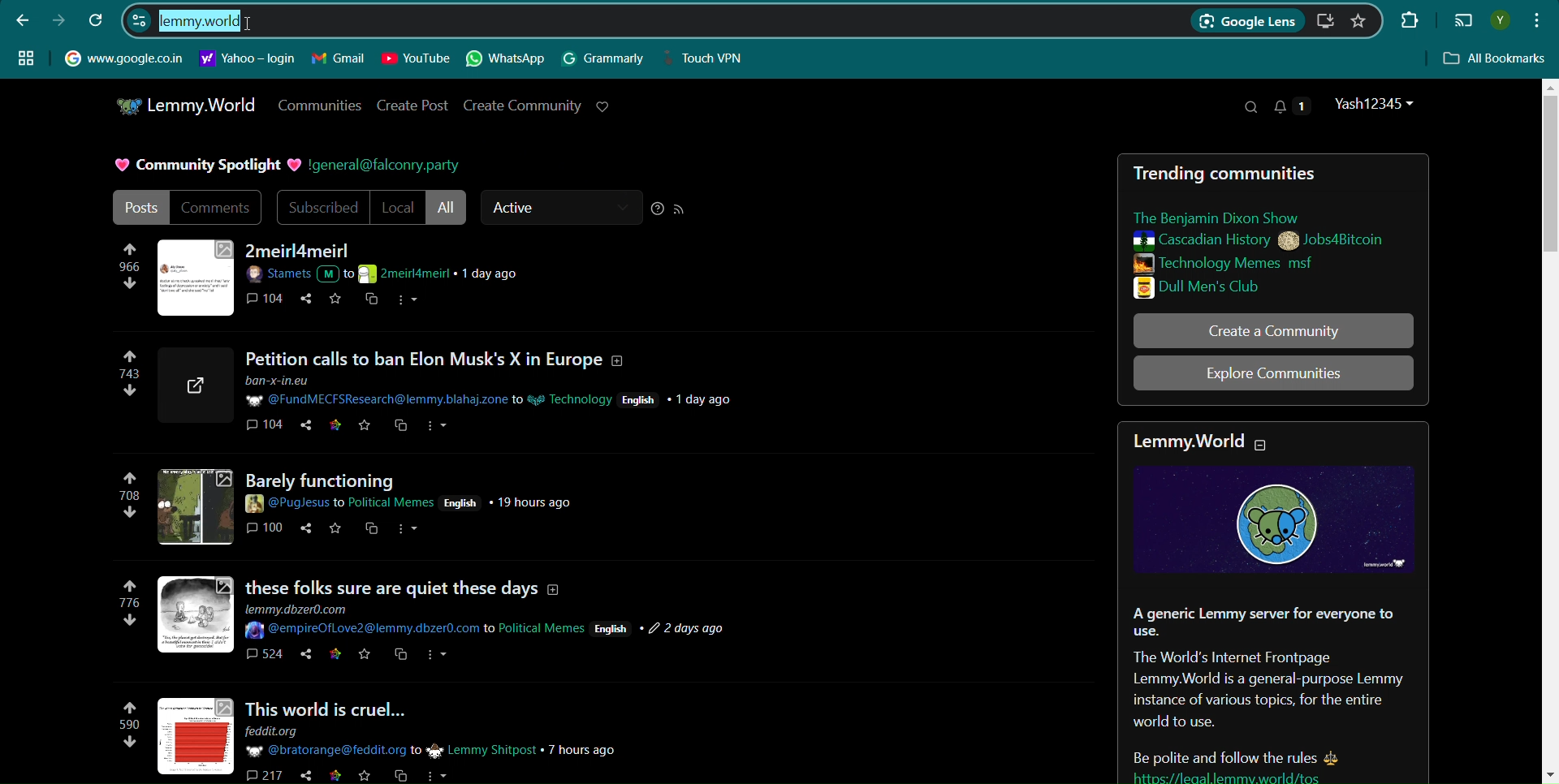  What do you see at coordinates (372, 301) in the screenshot?
I see `copy` at bounding box center [372, 301].